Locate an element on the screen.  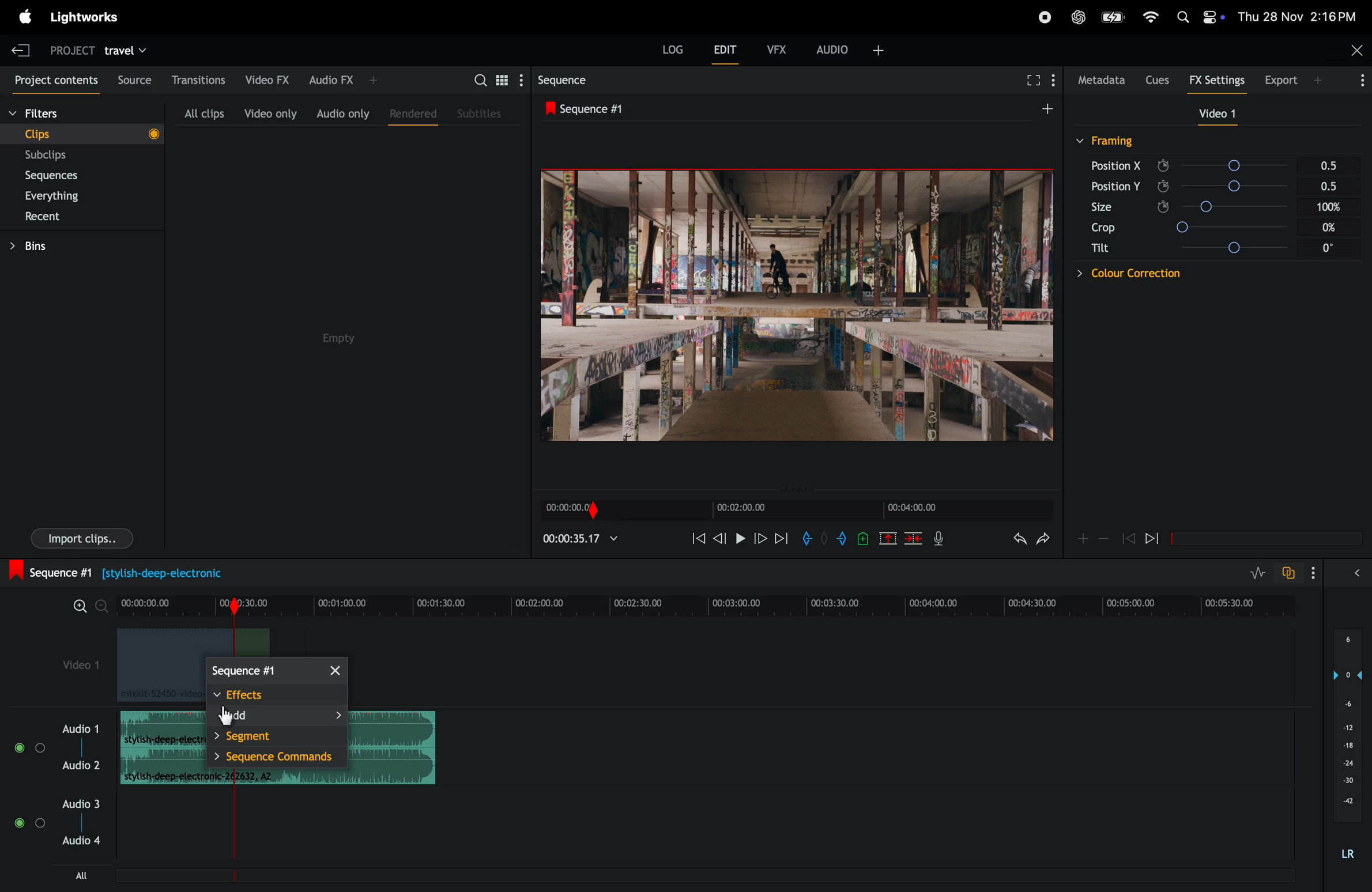
cues is located at coordinates (1157, 78).